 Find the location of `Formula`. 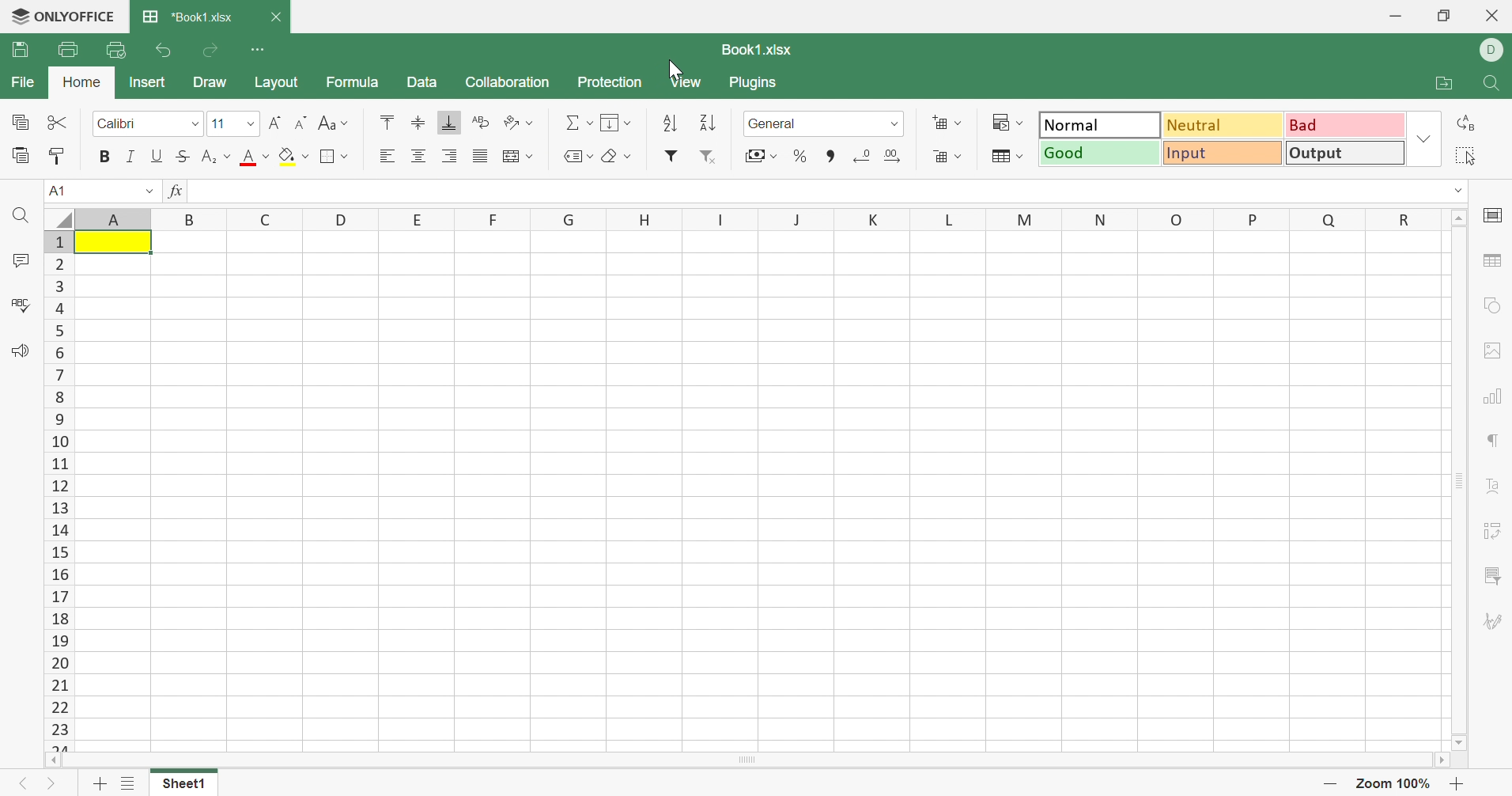

Formula is located at coordinates (353, 81).